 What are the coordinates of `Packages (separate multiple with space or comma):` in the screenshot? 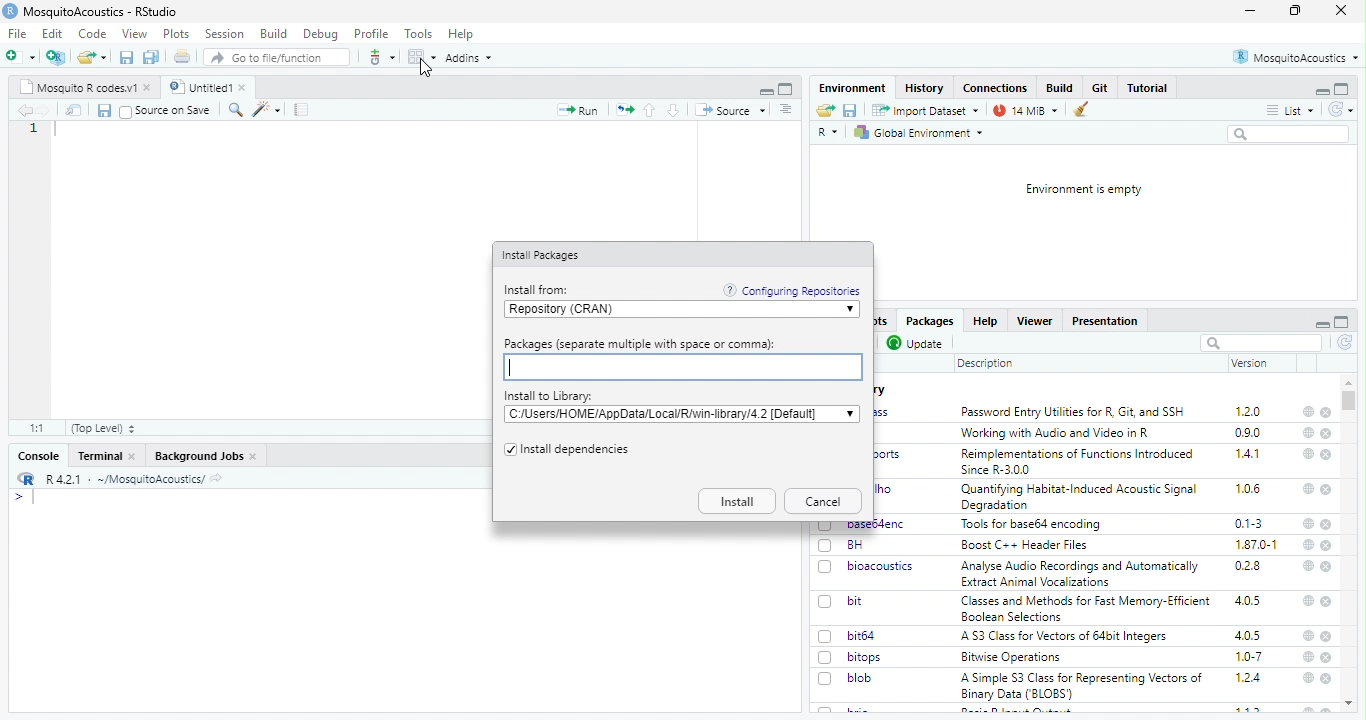 It's located at (681, 368).